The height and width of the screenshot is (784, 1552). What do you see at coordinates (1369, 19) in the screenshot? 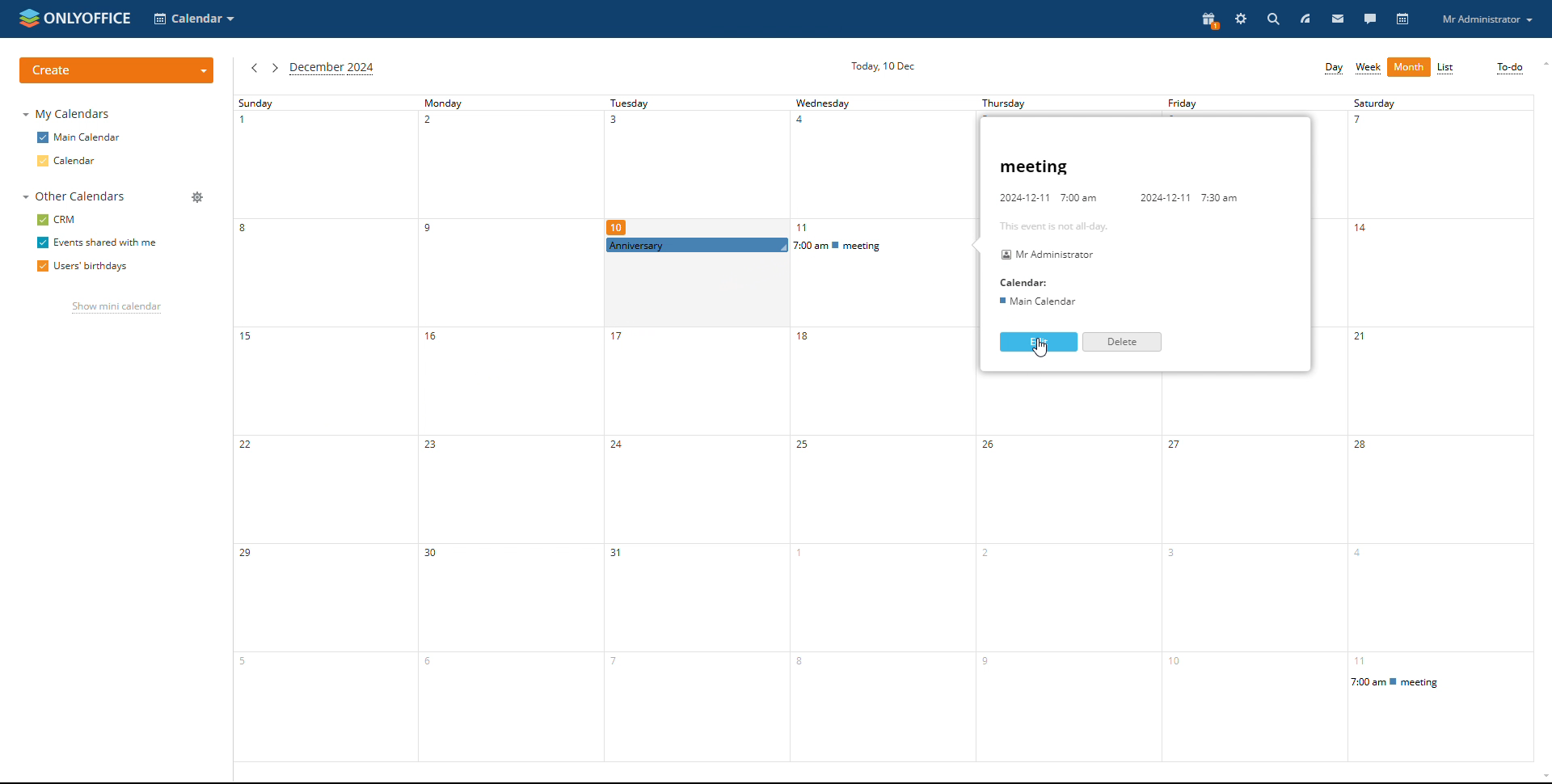
I see `talk` at bounding box center [1369, 19].